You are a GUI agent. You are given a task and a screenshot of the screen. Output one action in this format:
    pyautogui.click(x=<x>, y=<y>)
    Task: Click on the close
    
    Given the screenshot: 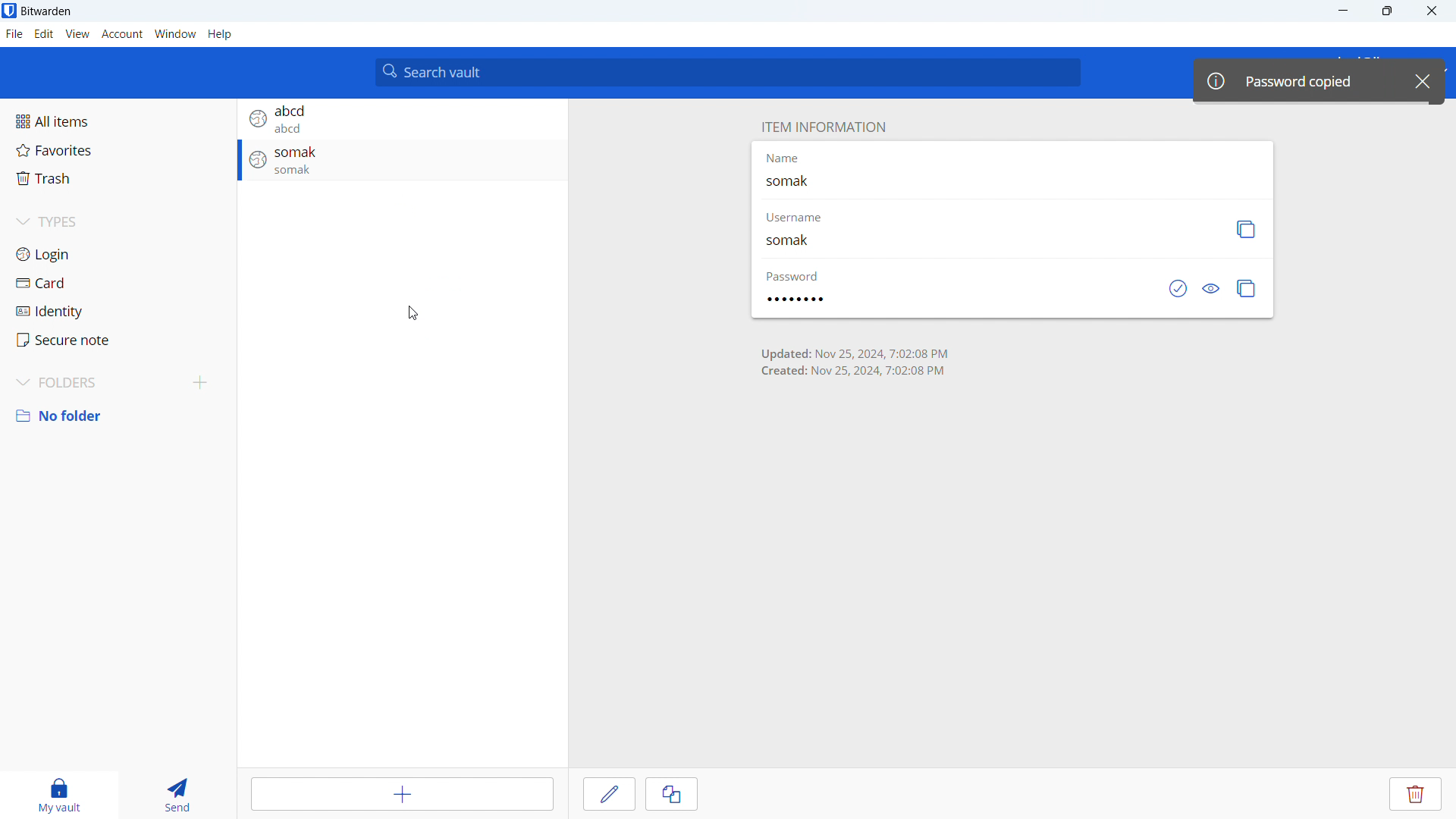 What is the action you would take?
    pyautogui.click(x=1432, y=11)
    